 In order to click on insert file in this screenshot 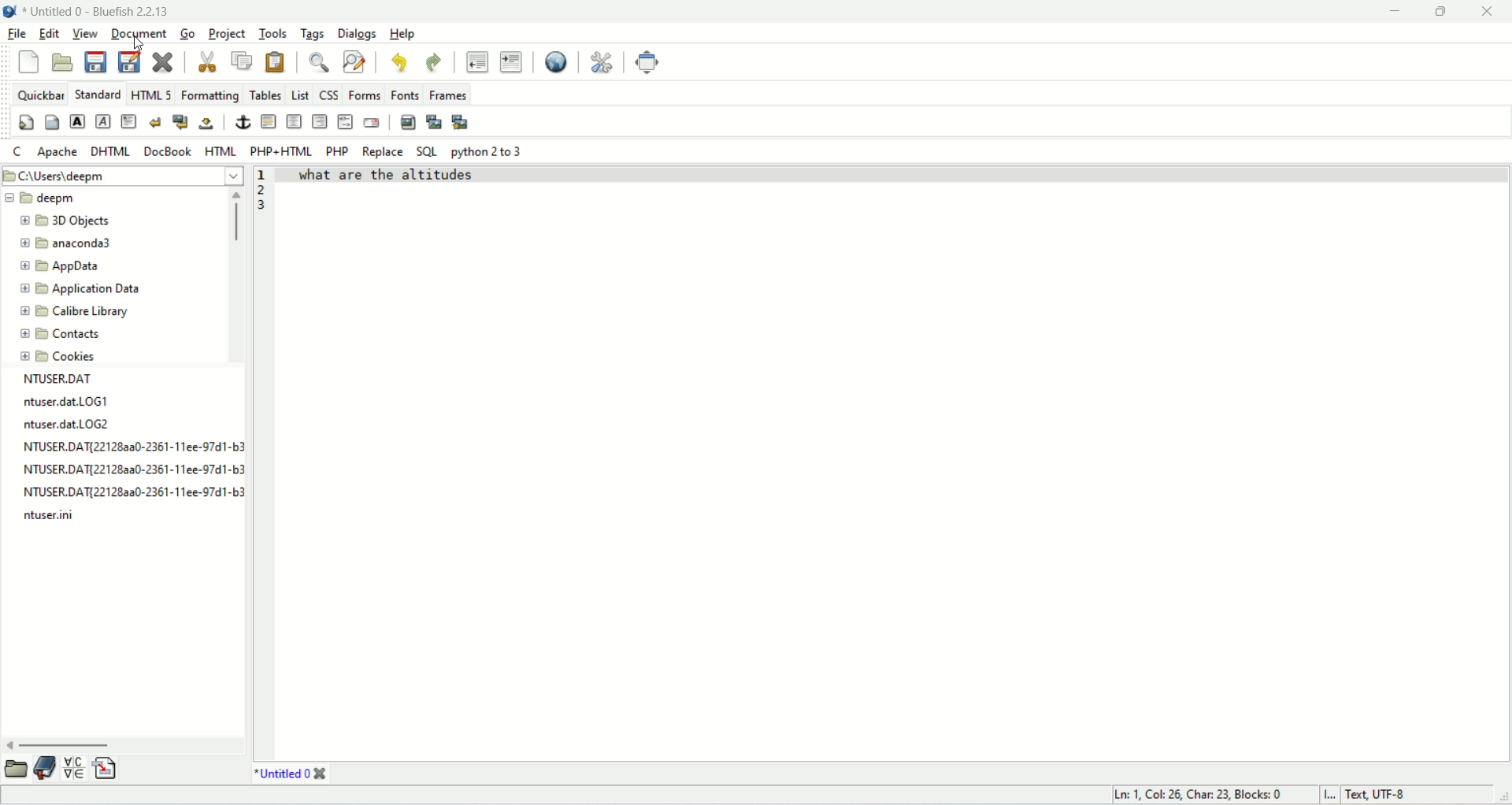, I will do `click(107, 767)`.